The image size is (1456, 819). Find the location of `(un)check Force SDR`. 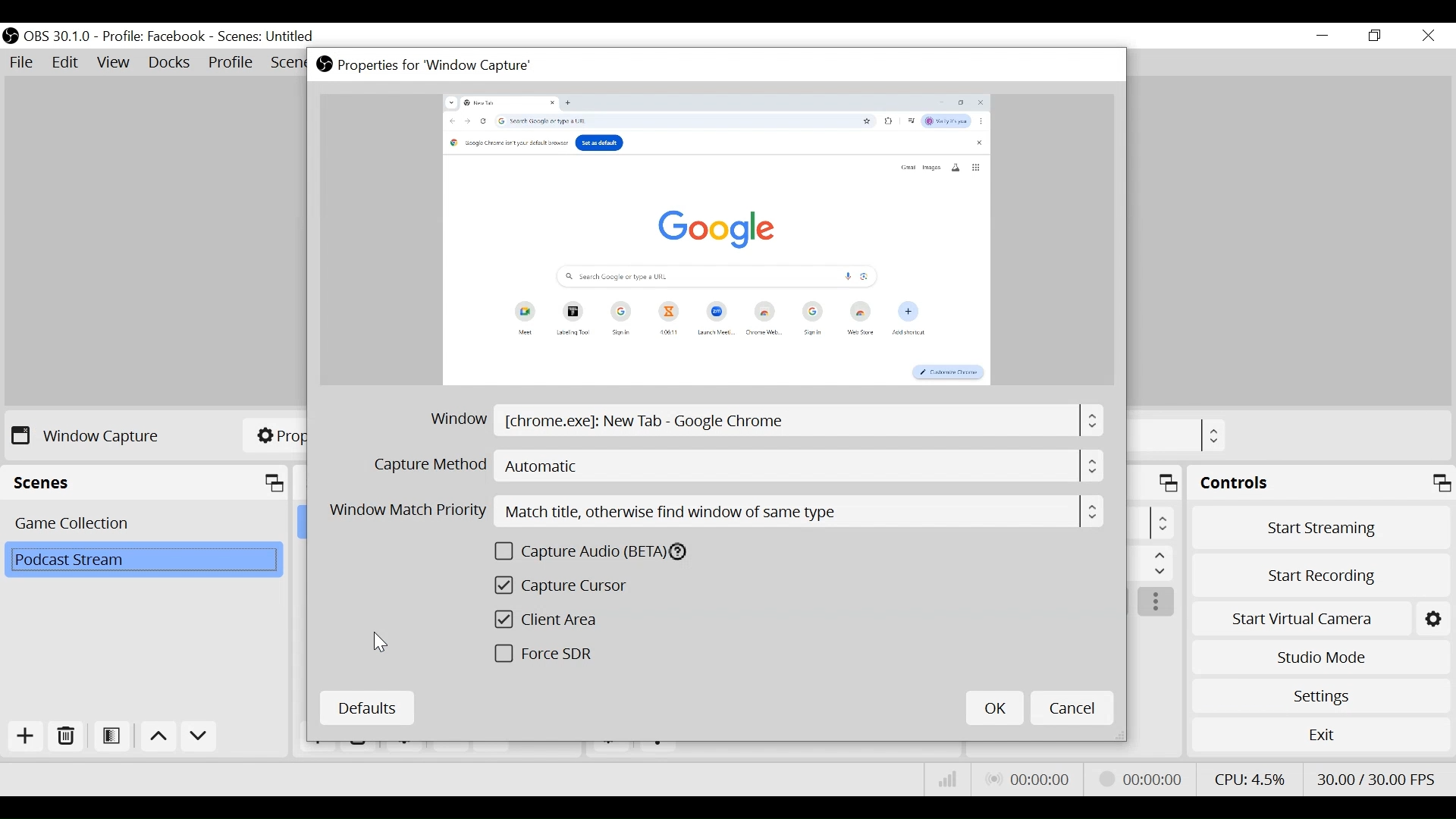

(un)check Force SDR is located at coordinates (550, 654).